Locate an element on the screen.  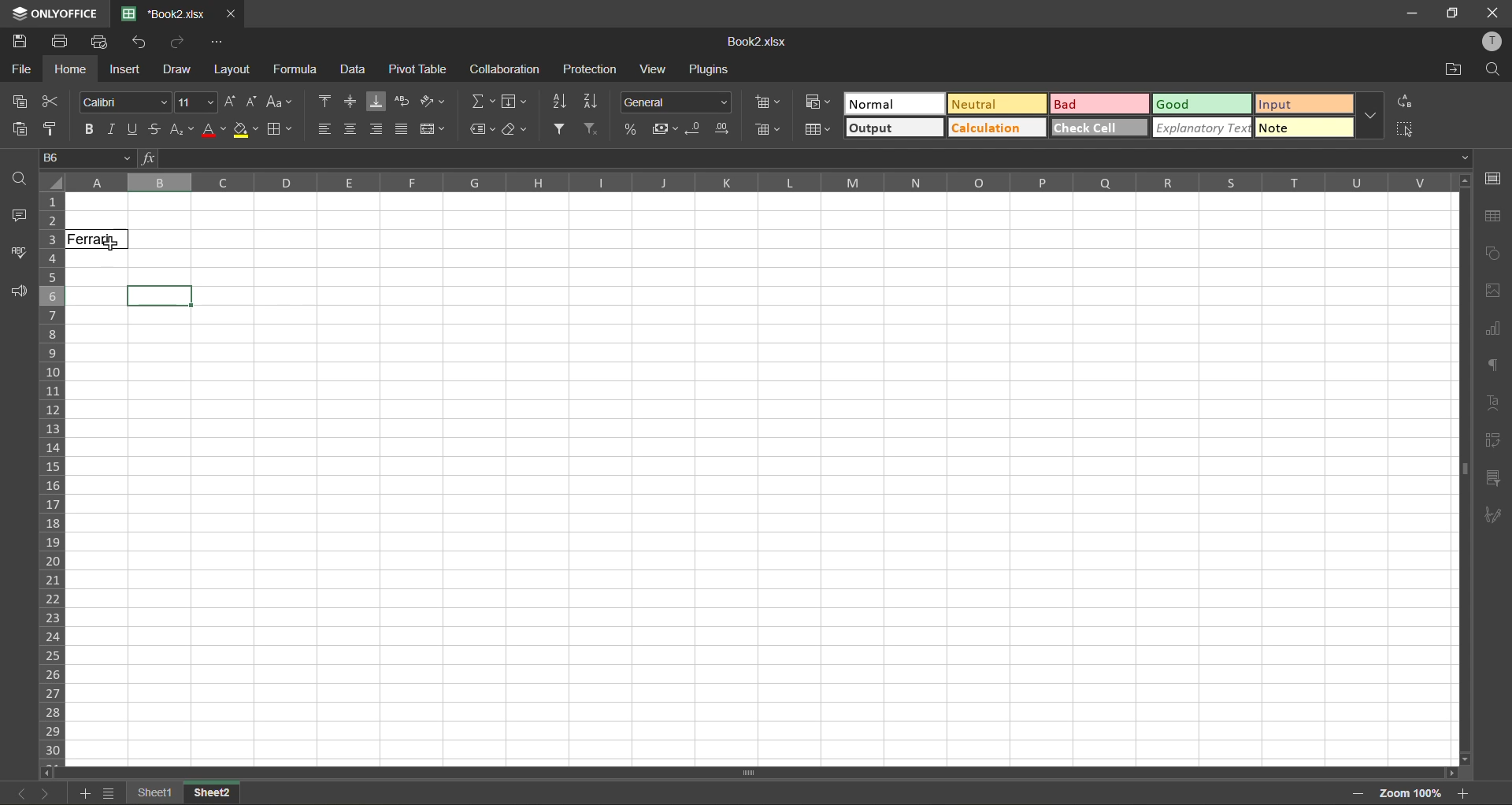
home is located at coordinates (72, 69).